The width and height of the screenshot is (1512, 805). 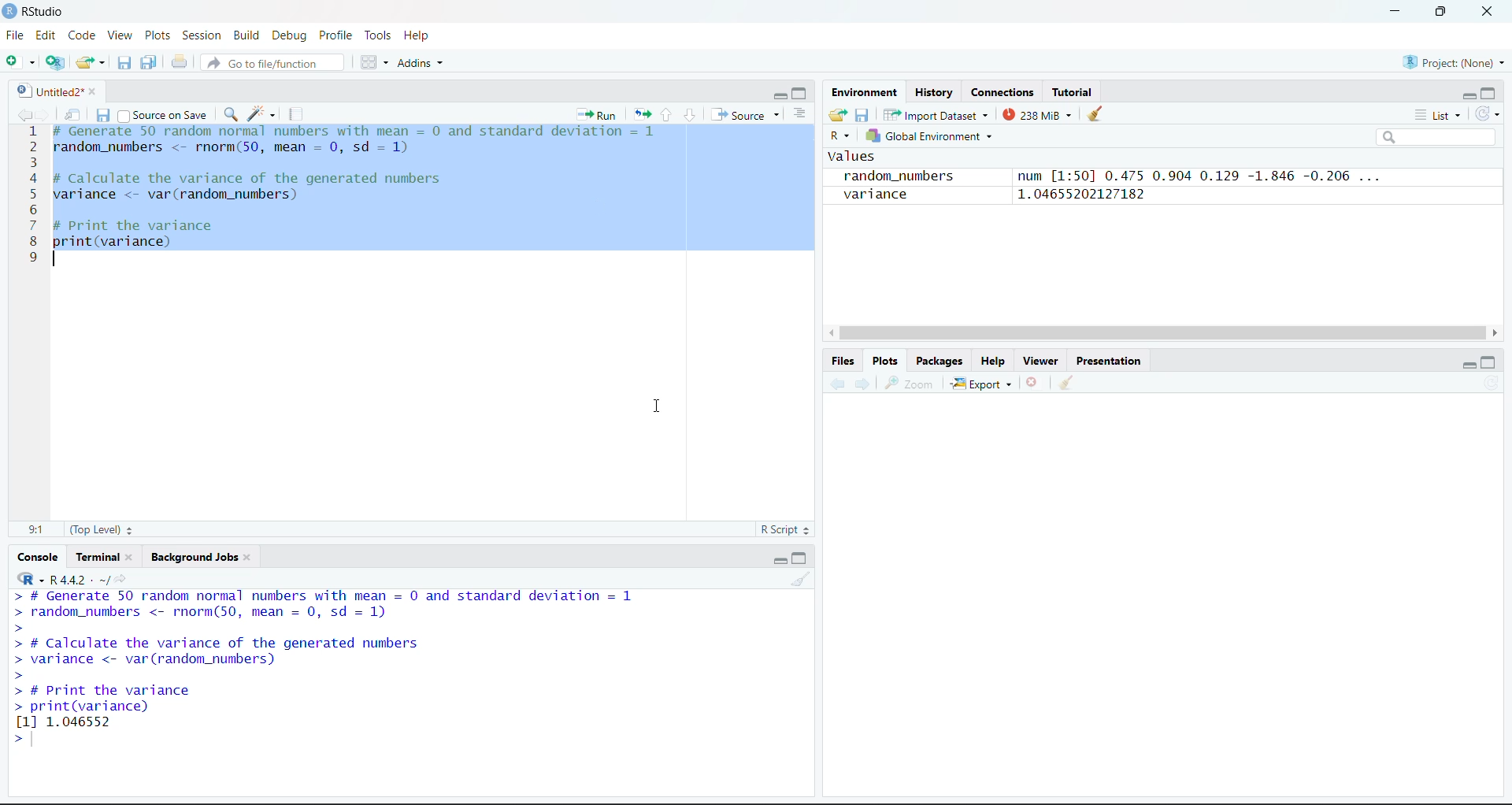 I want to click on 1.04655202127182, so click(x=1080, y=195).